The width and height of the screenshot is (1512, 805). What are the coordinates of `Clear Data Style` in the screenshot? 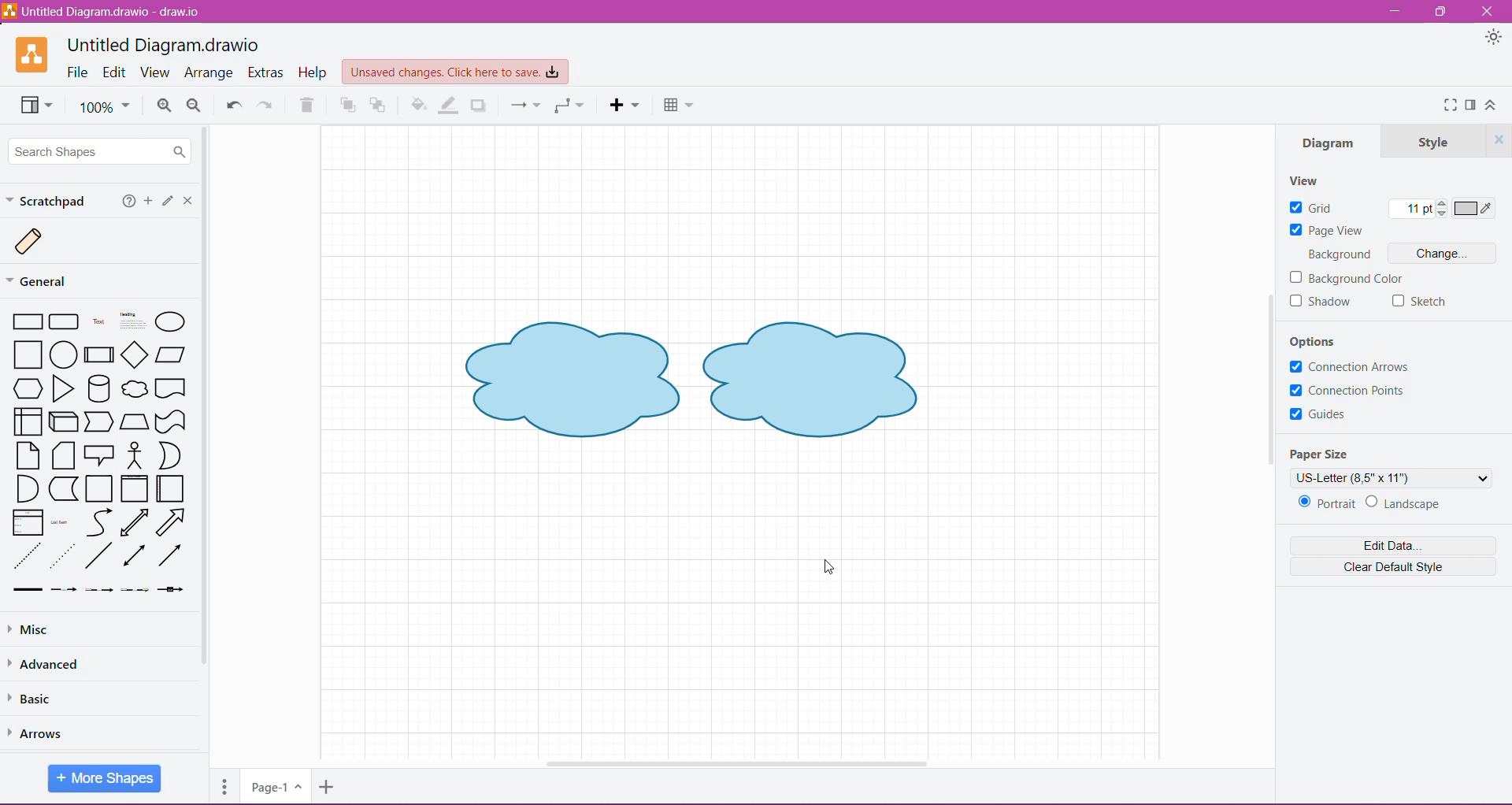 It's located at (1389, 571).